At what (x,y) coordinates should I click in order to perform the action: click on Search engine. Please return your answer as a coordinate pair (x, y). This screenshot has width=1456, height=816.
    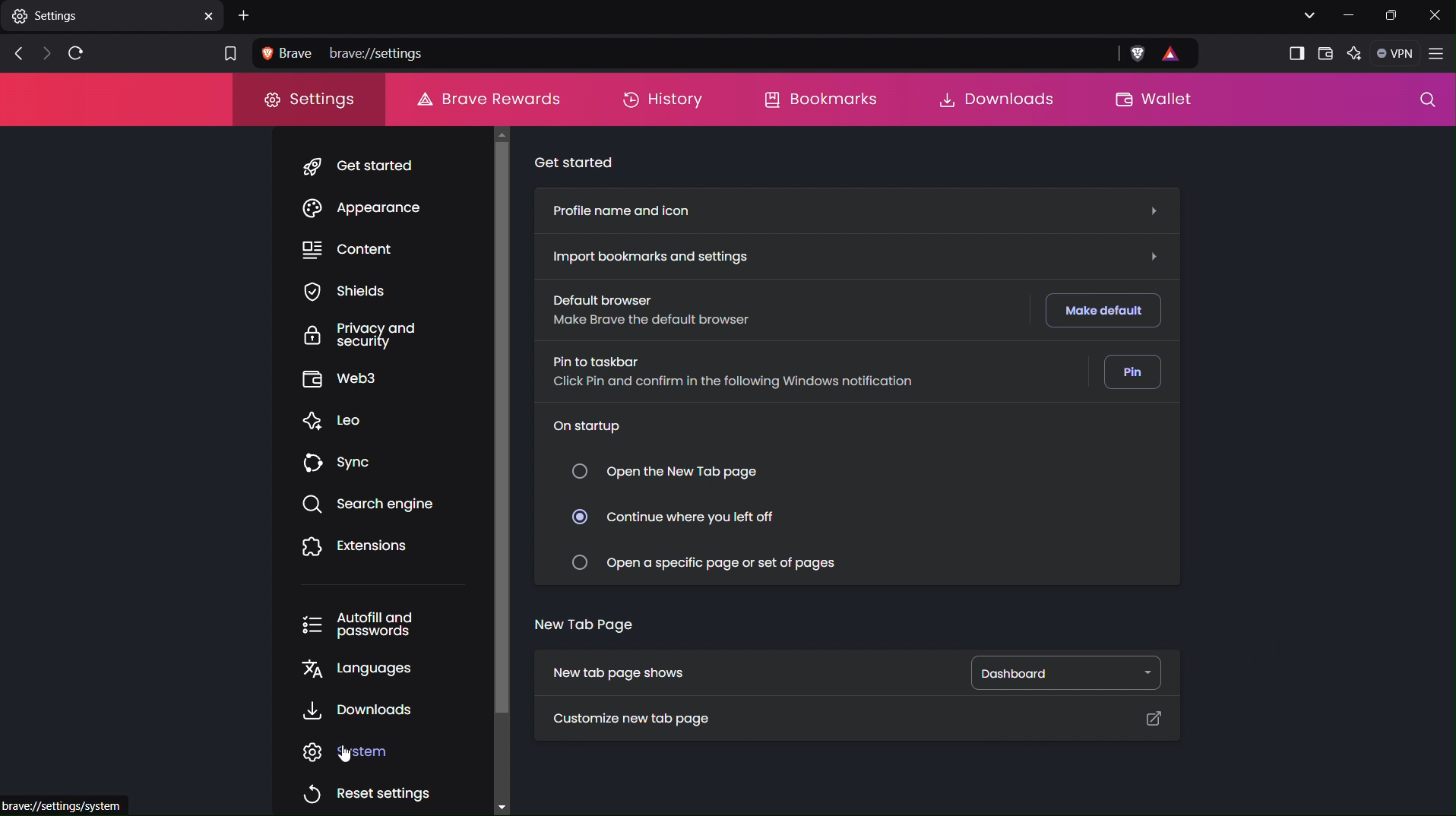
    Looking at the image, I should click on (366, 504).